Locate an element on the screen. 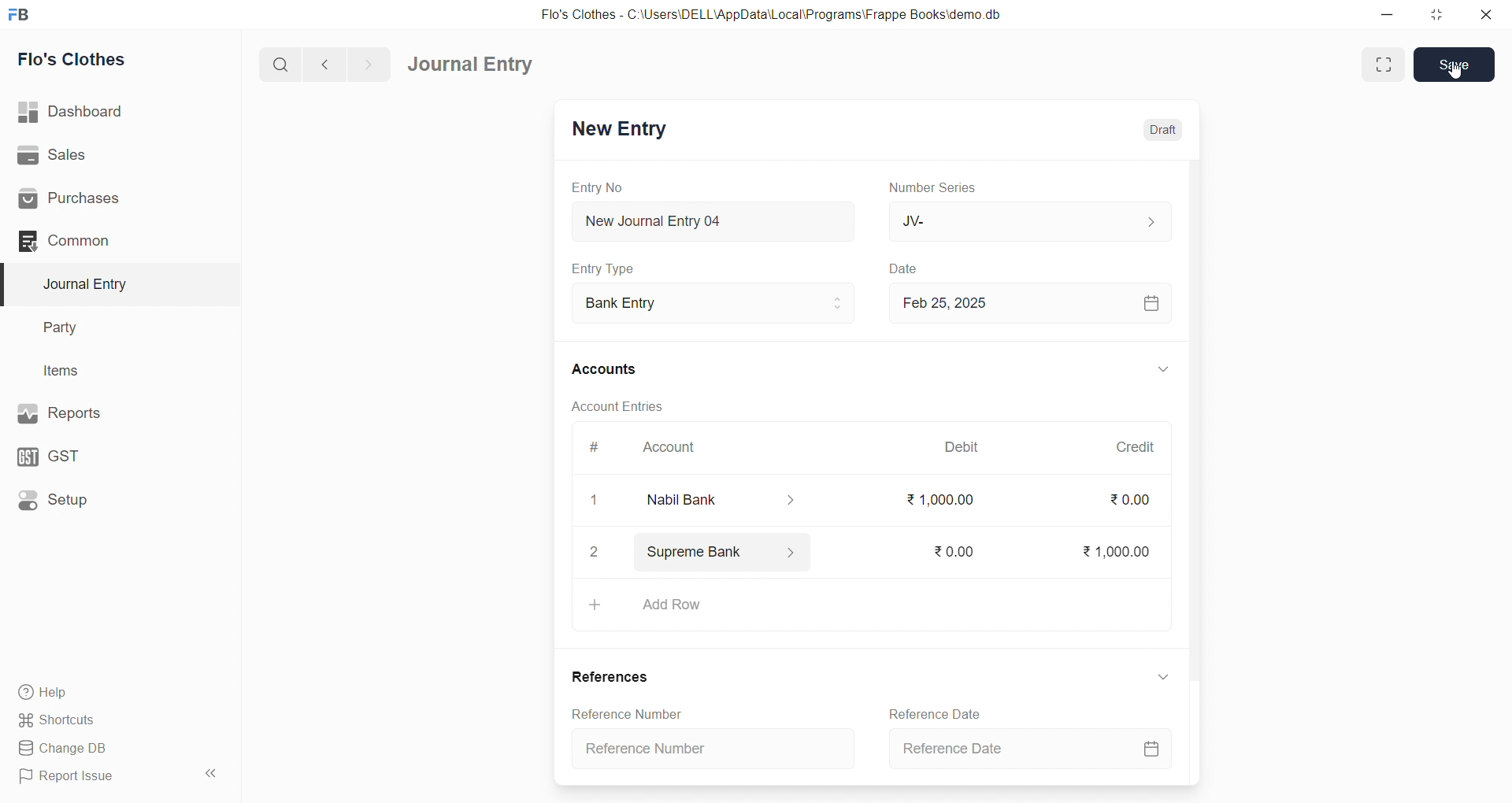  1 is located at coordinates (587, 500).